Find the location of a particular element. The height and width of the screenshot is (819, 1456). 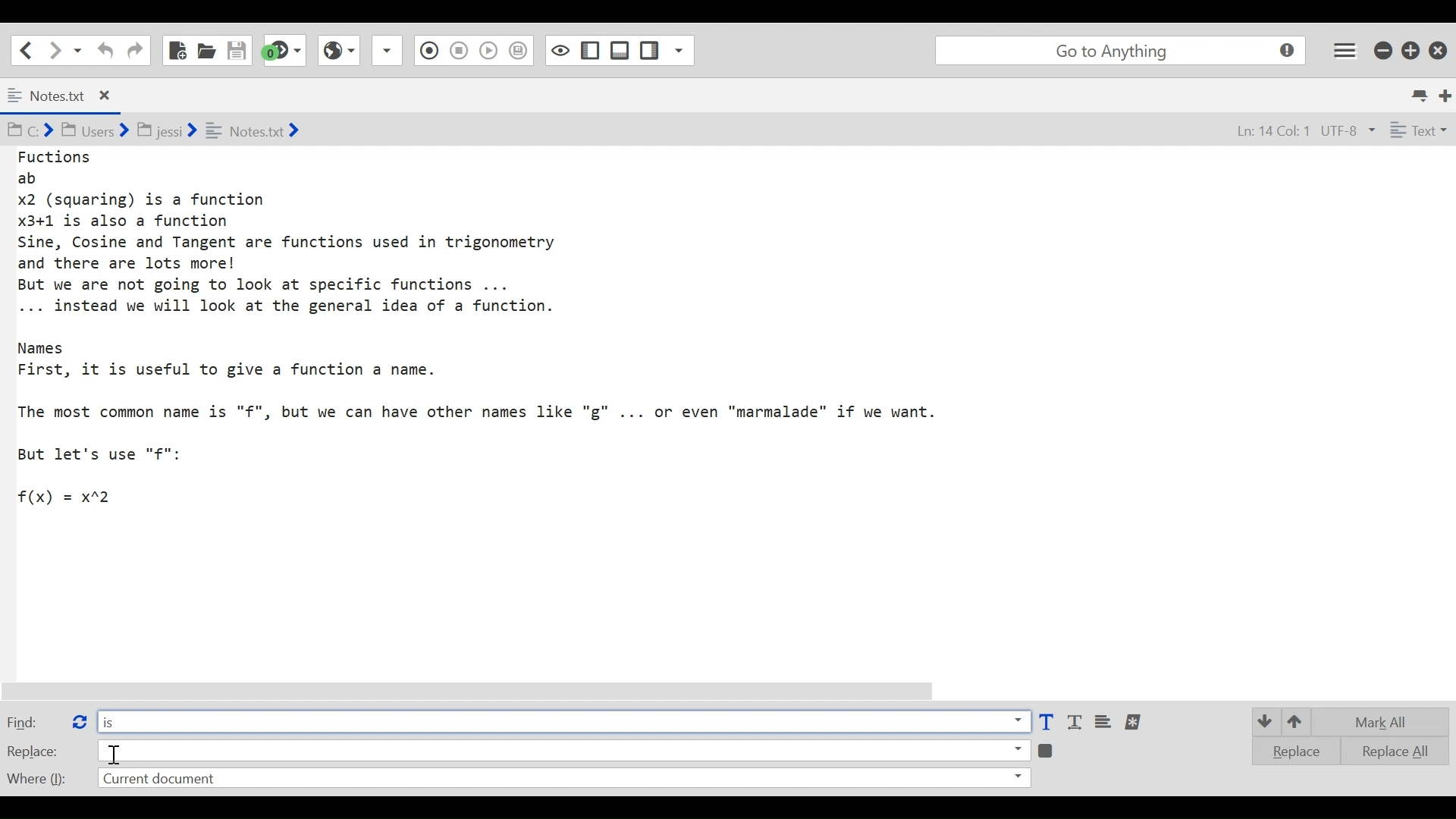

go to anything is located at coordinates (1124, 51).